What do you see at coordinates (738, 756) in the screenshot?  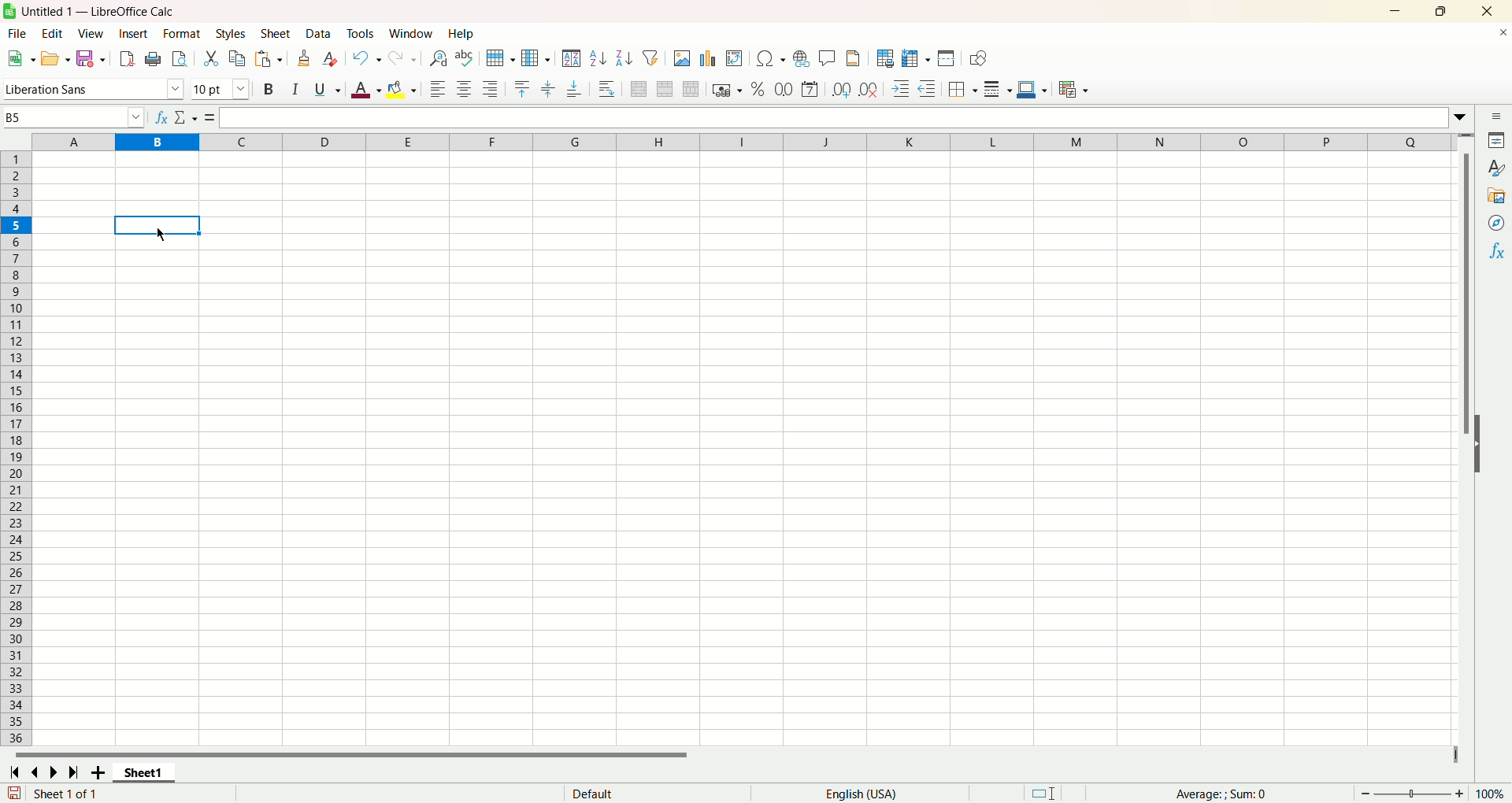 I see `horizontal scroll bar` at bounding box center [738, 756].